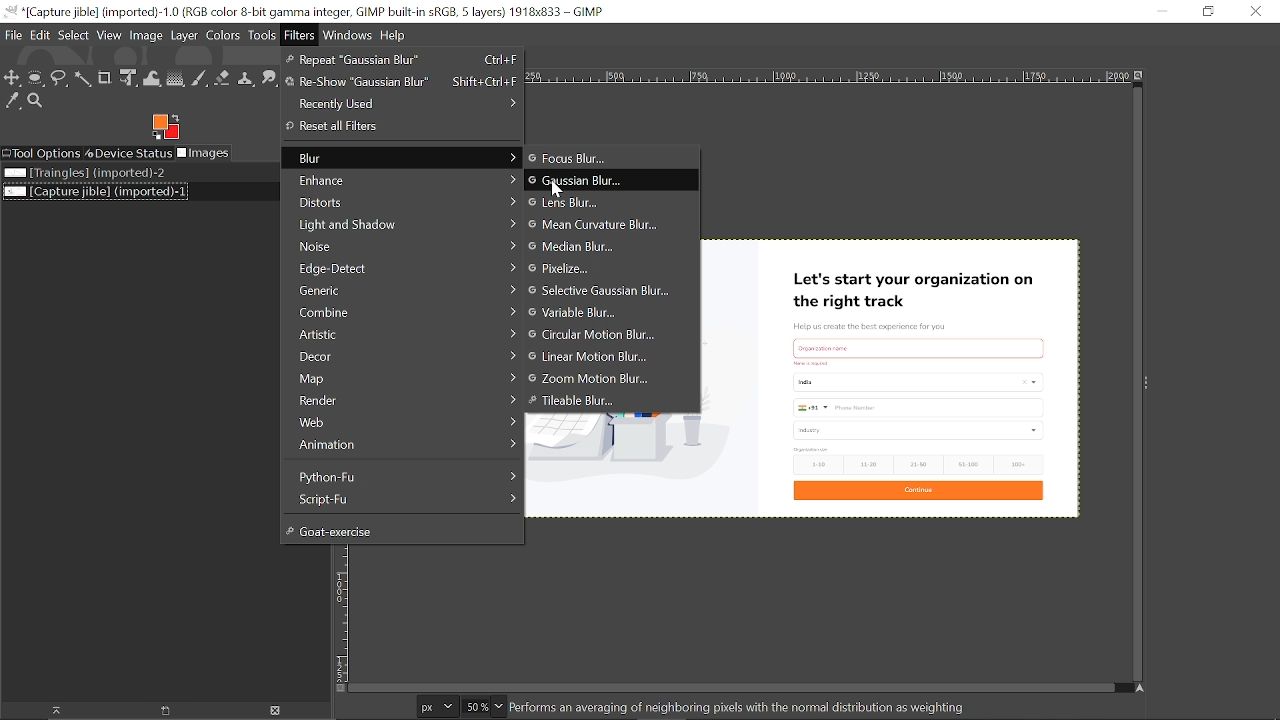 This screenshot has width=1280, height=720. Describe the element at coordinates (404, 268) in the screenshot. I see `Edge-defect` at that location.